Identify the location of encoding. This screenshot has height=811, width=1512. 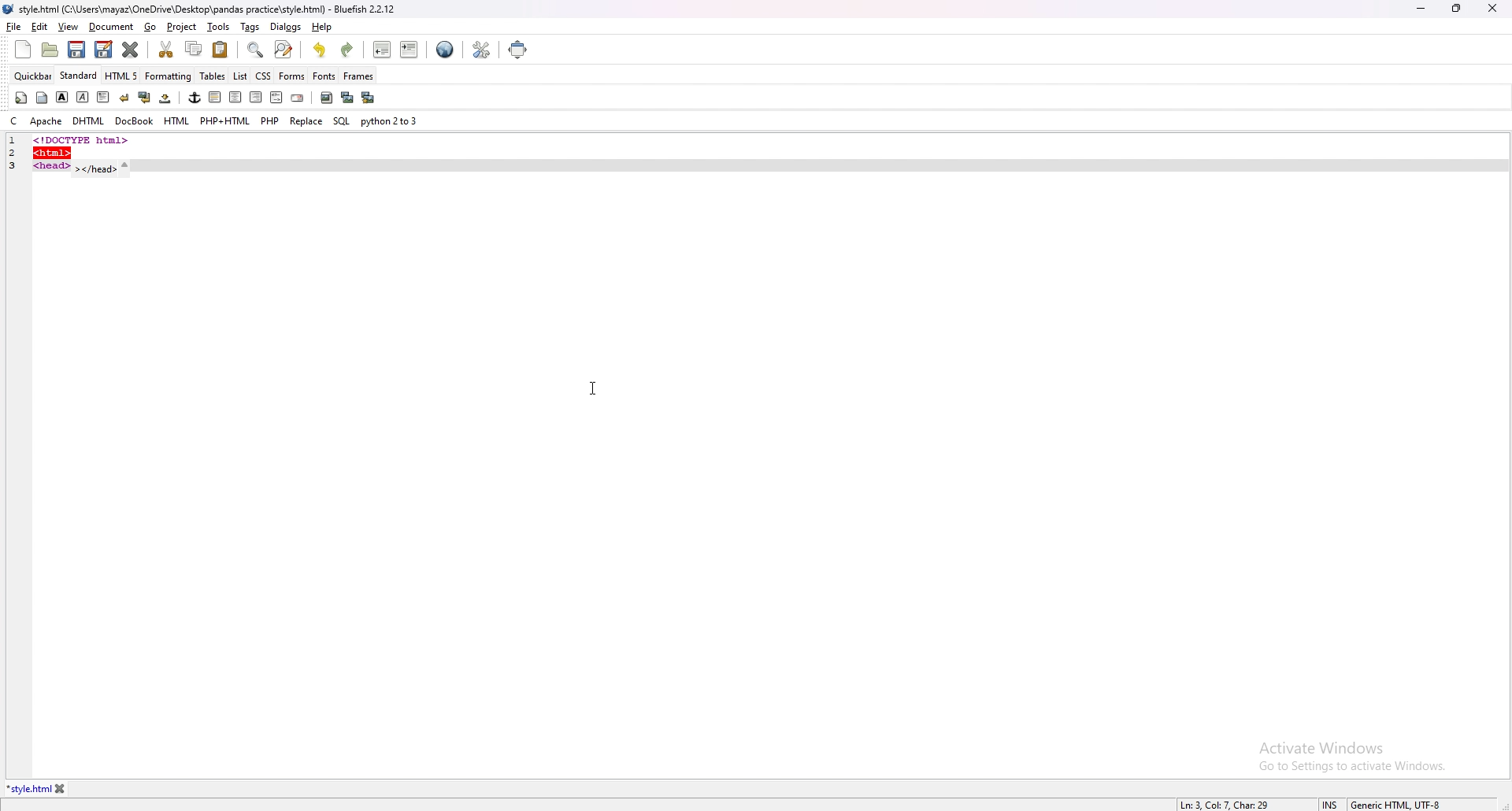
(1395, 803).